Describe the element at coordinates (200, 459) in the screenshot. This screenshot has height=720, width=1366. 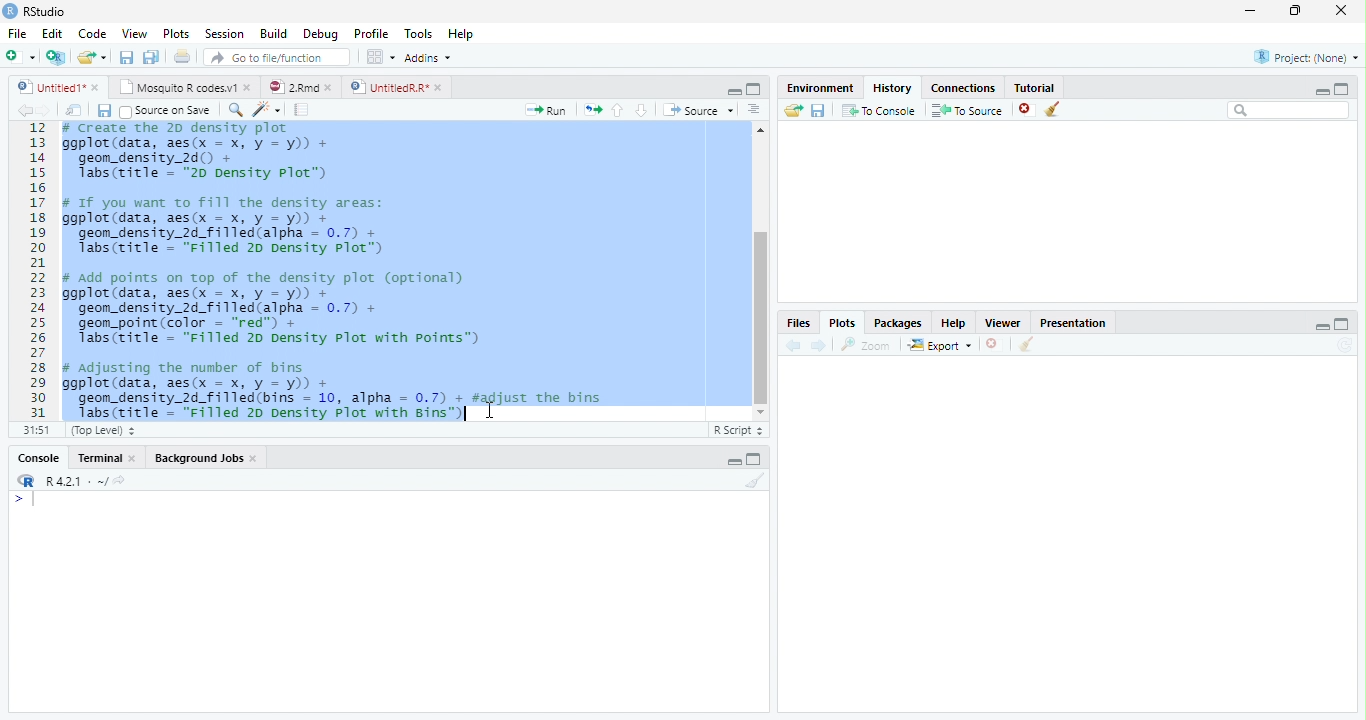
I see `Background Jobs` at that location.